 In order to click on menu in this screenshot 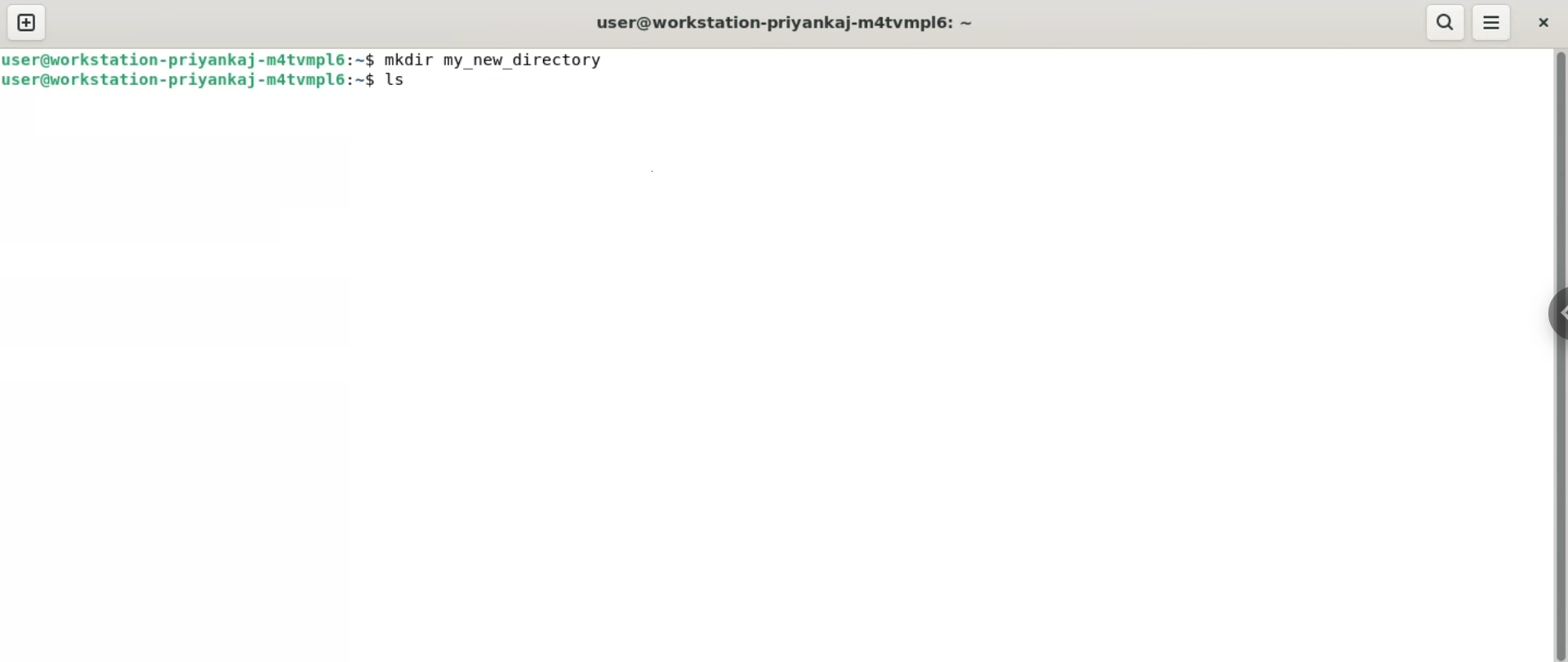, I will do `click(1492, 20)`.